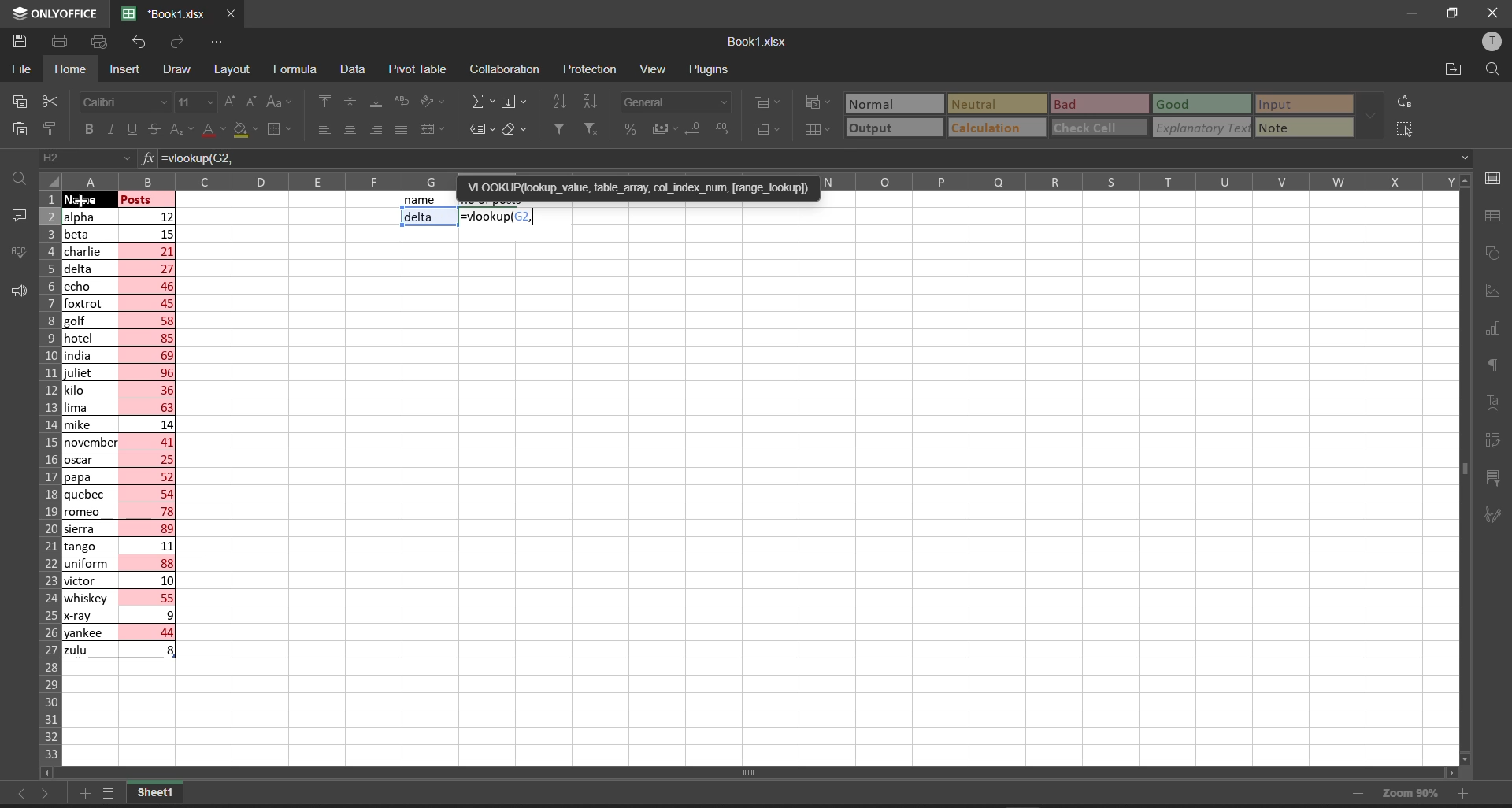  I want to click on font color, so click(212, 129).